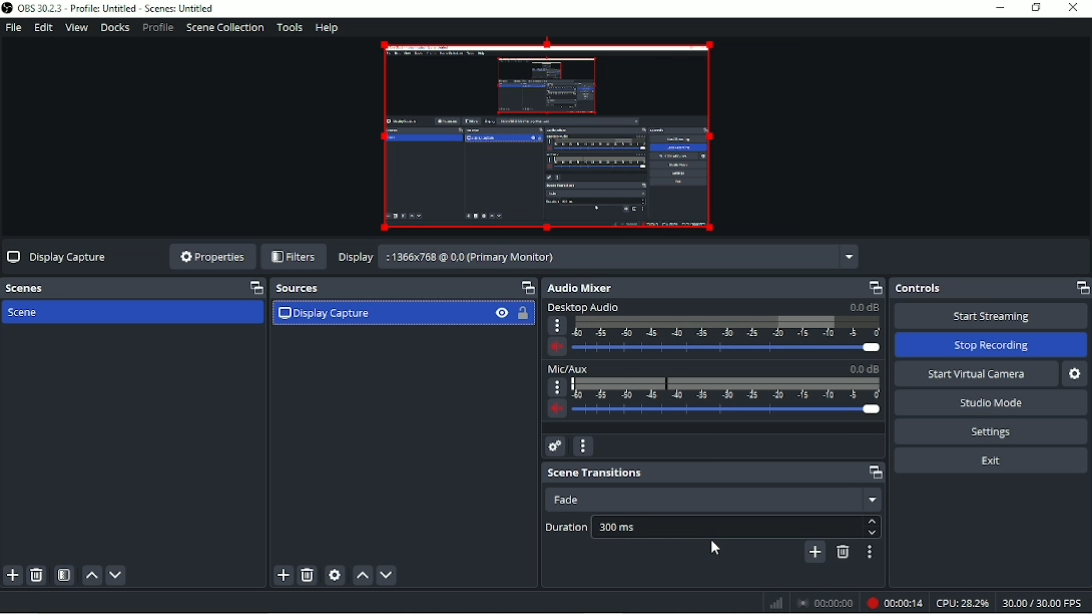  What do you see at coordinates (991, 432) in the screenshot?
I see `Settings` at bounding box center [991, 432].